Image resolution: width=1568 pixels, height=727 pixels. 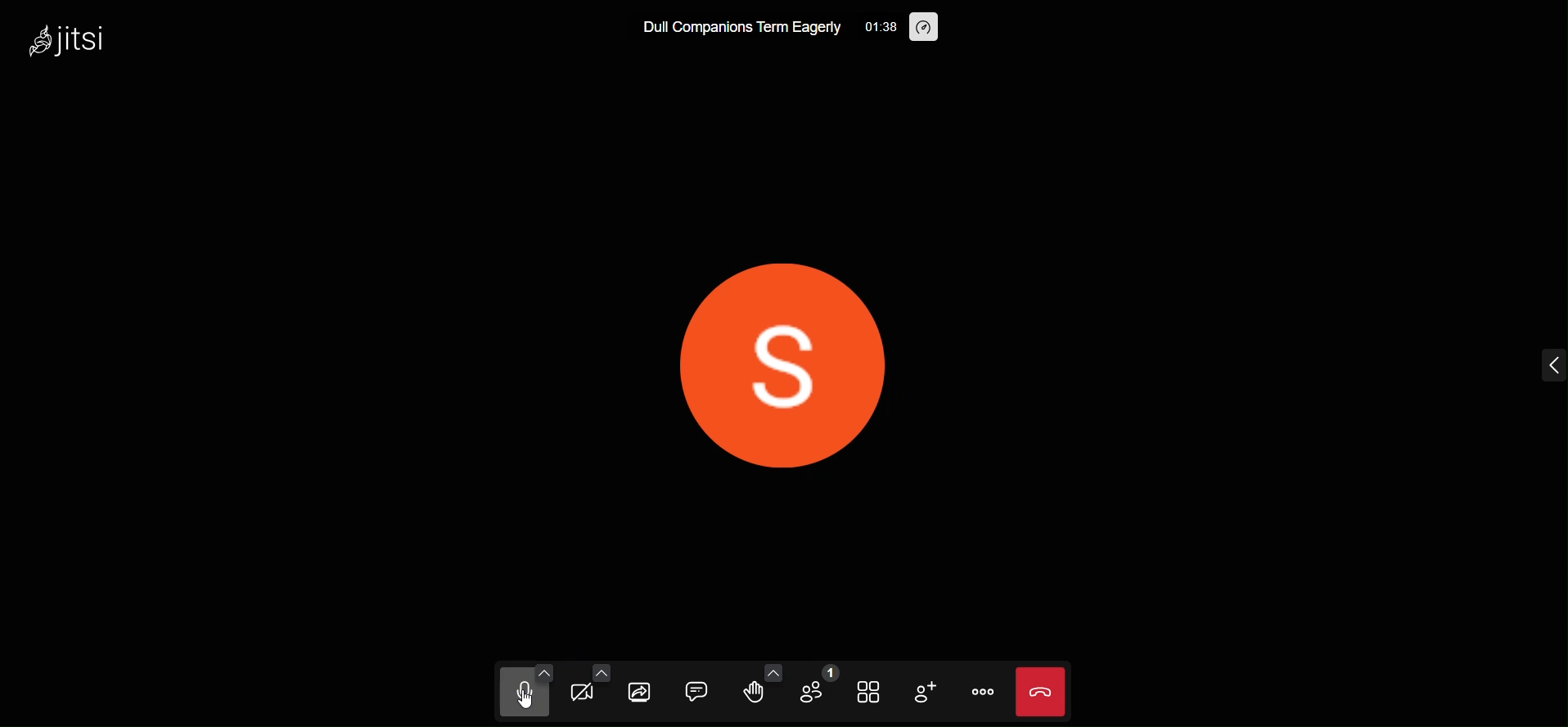 What do you see at coordinates (983, 691) in the screenshot?
I see `more` at bounding box center [983, 691].